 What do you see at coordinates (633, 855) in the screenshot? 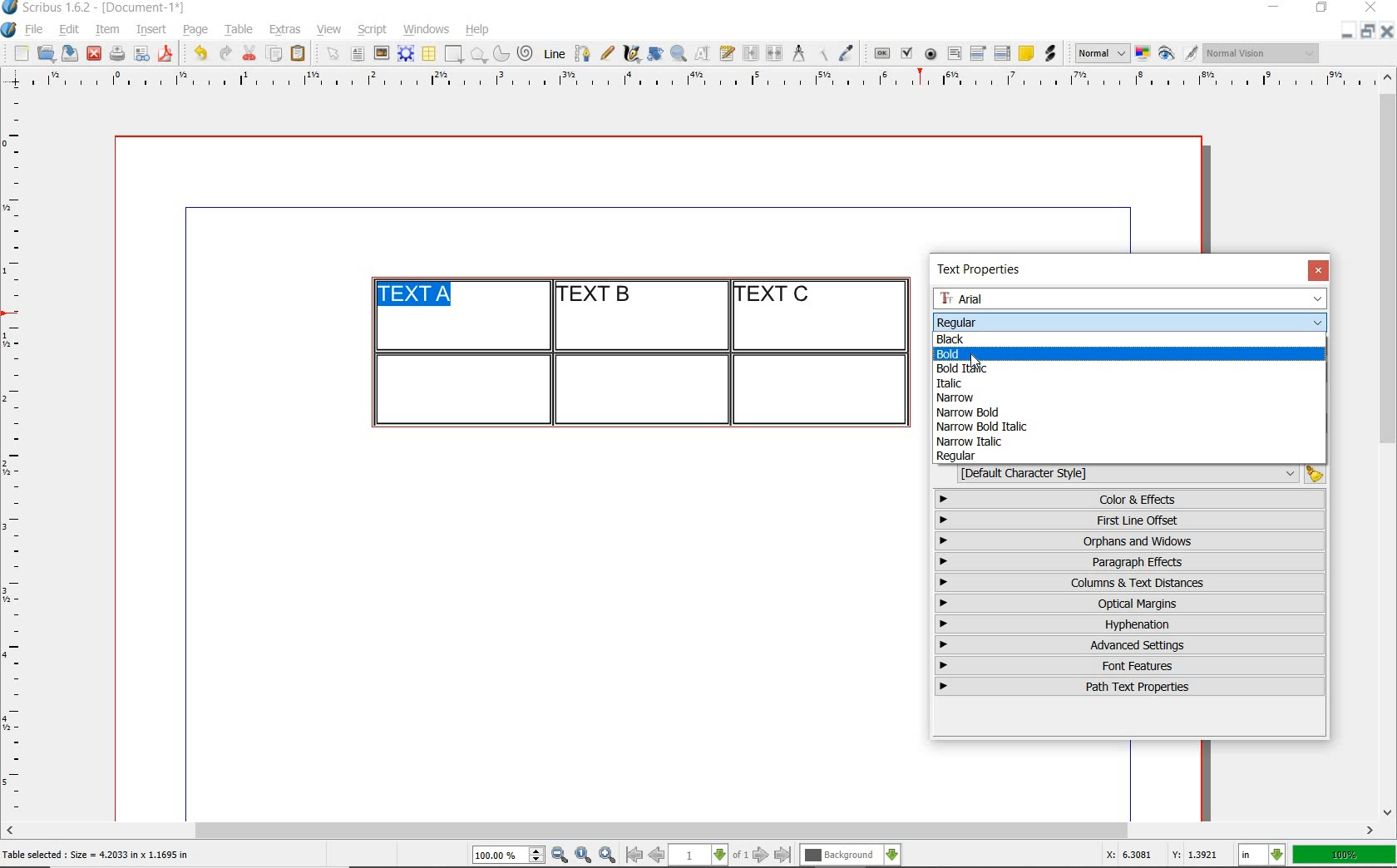
I see `go to first page` at bounding box center [633, 855].